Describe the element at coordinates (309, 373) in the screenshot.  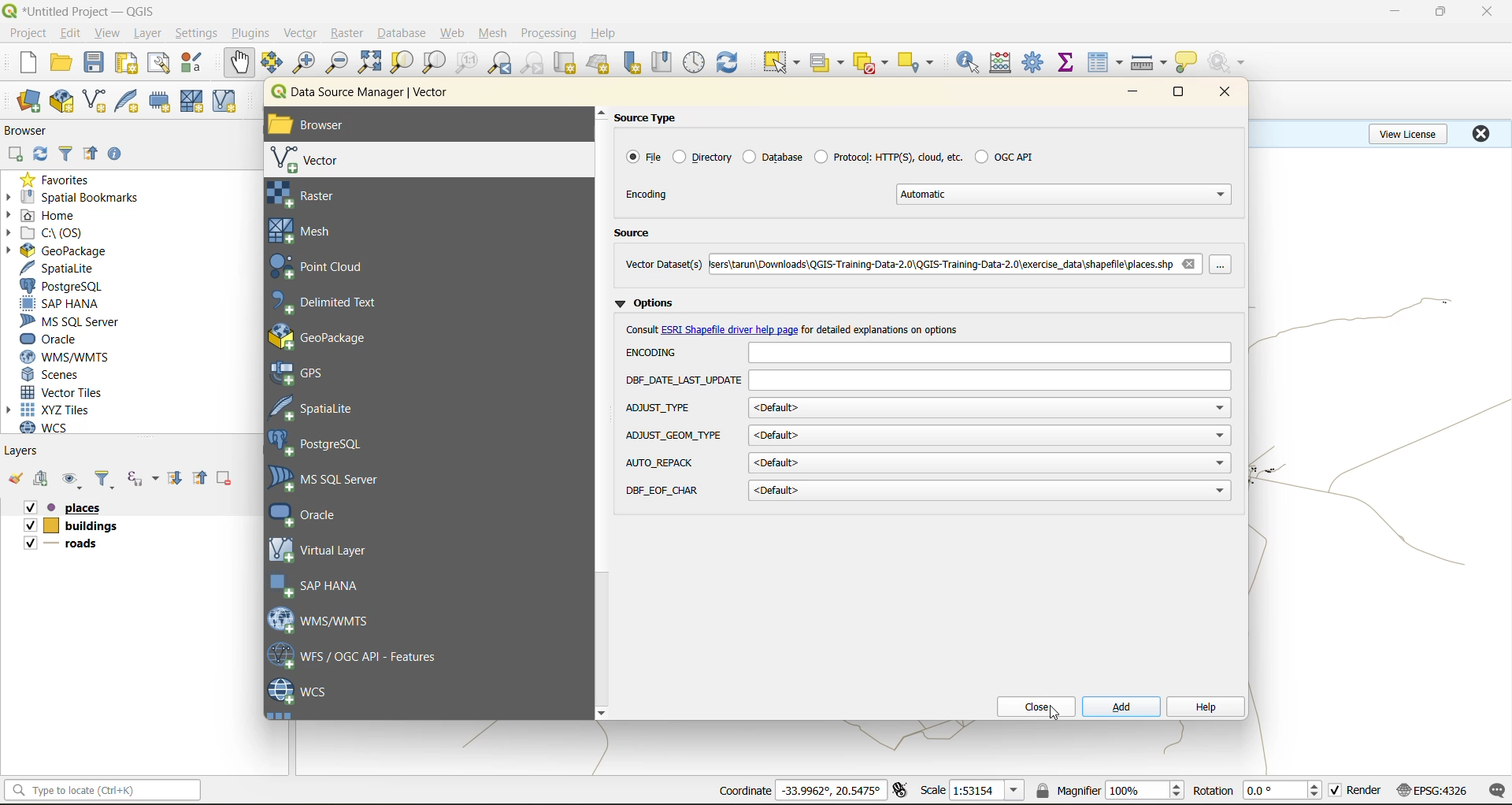
I see `gps` at that location.